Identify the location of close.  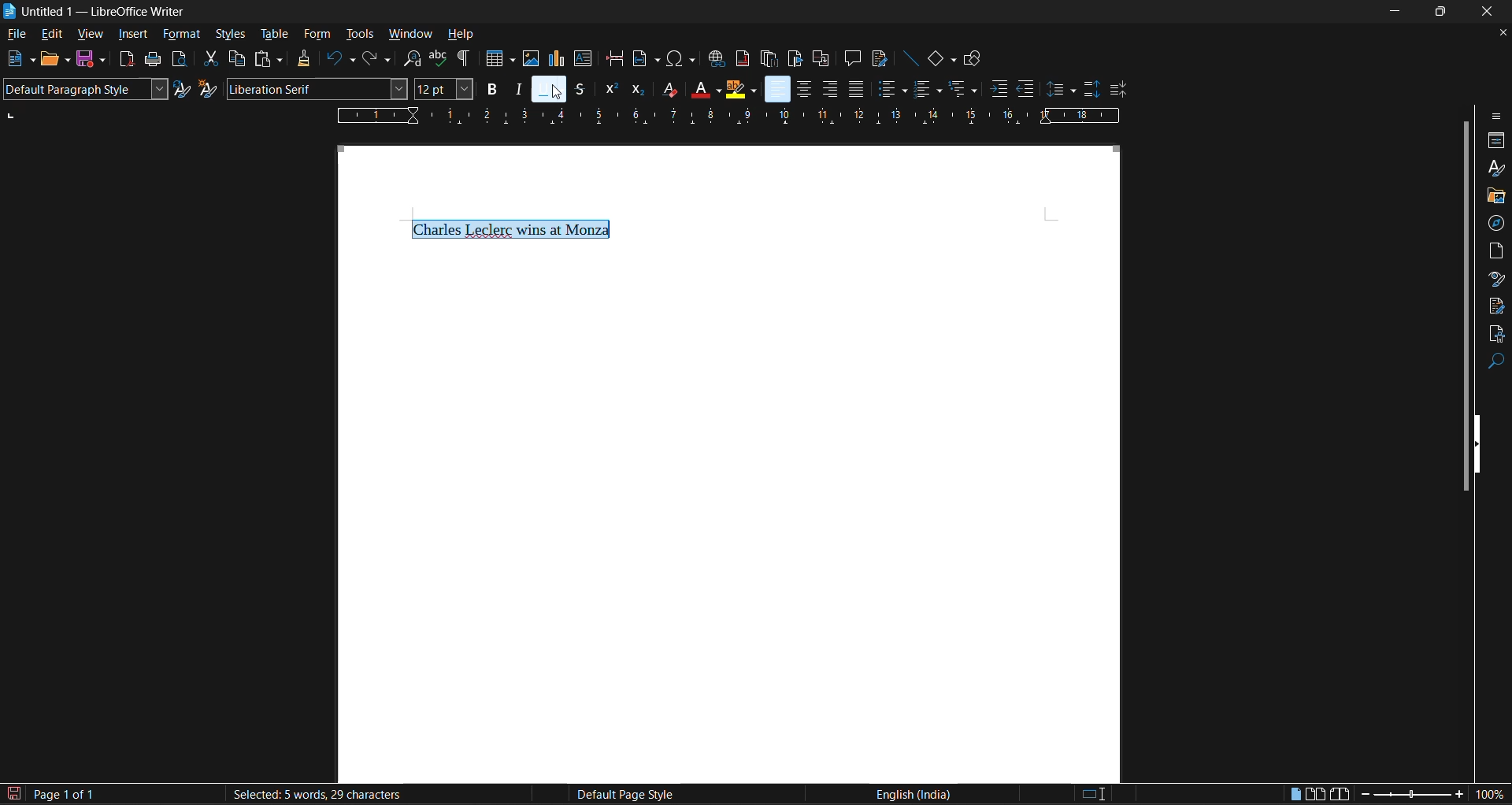
(1488, 12).